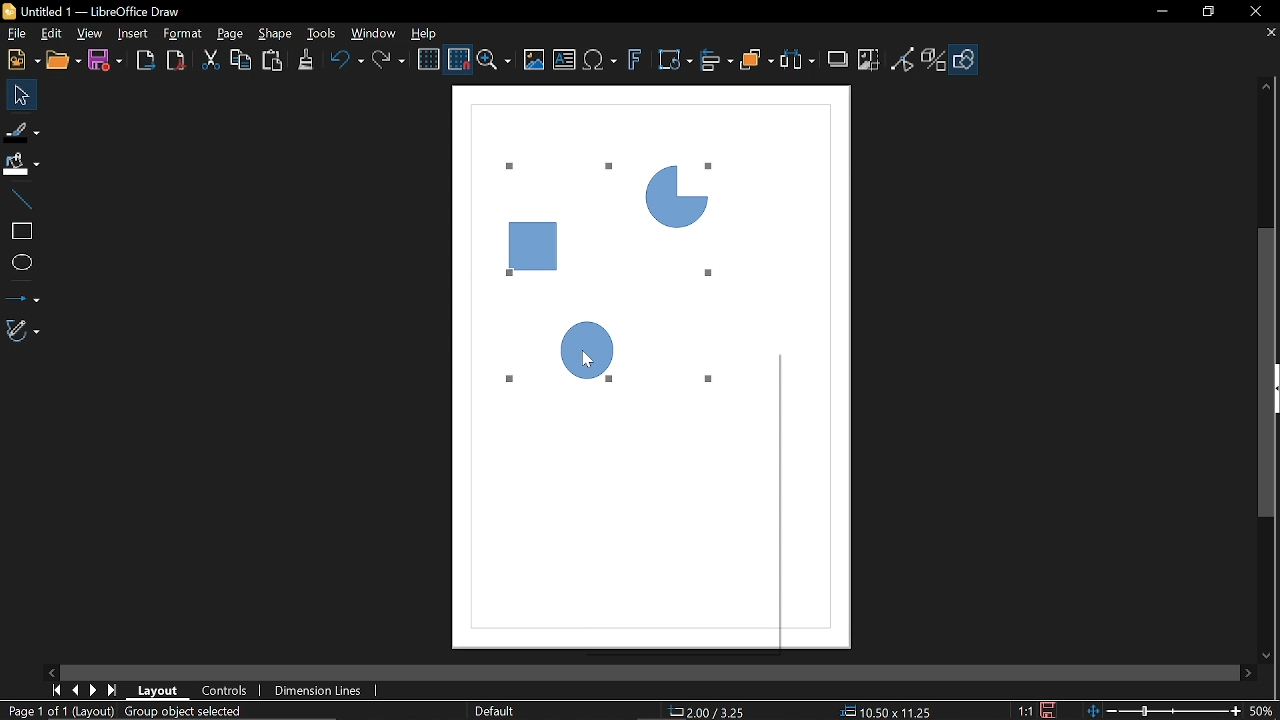 The height and width of the screenshot is (720, 1280). I want to click on Insert image, so click(534, 60).